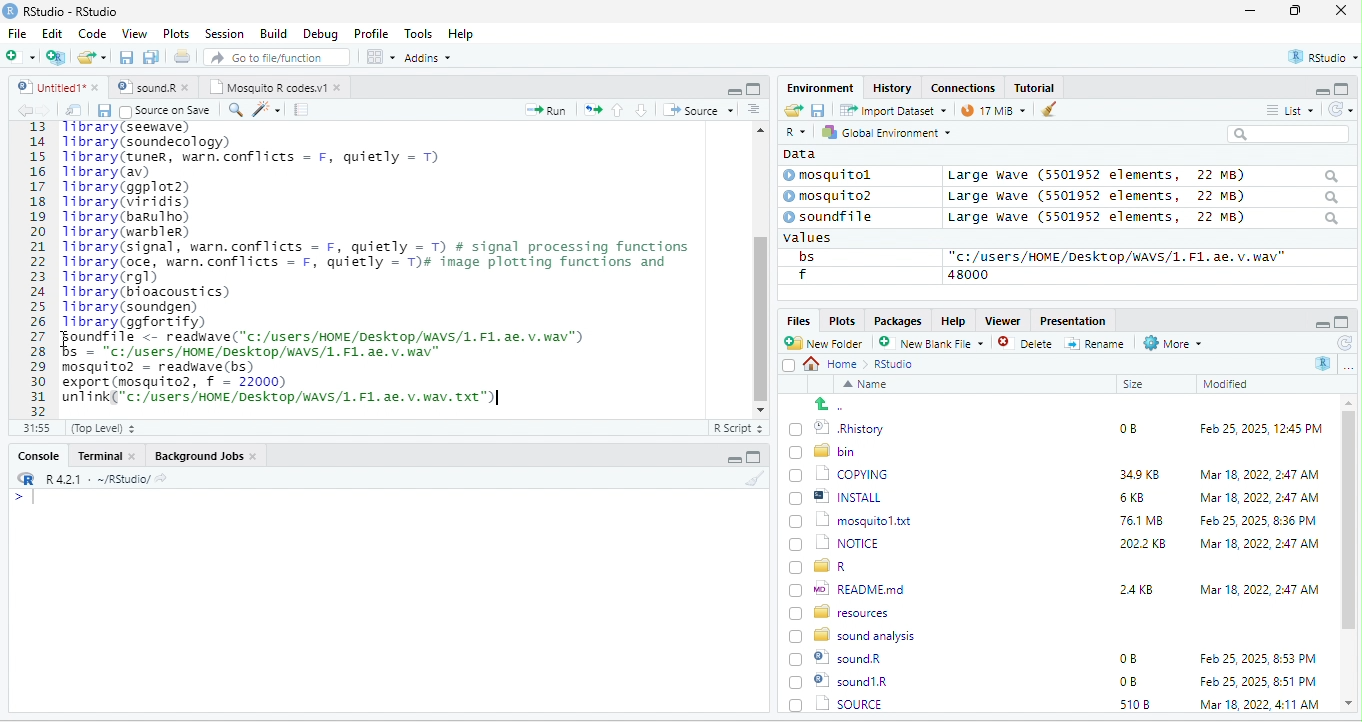 The height and width of the screenshot is (722, 1362). Describe the element at coordinates (20, 55) in the screenshot. I see `new` at that location.